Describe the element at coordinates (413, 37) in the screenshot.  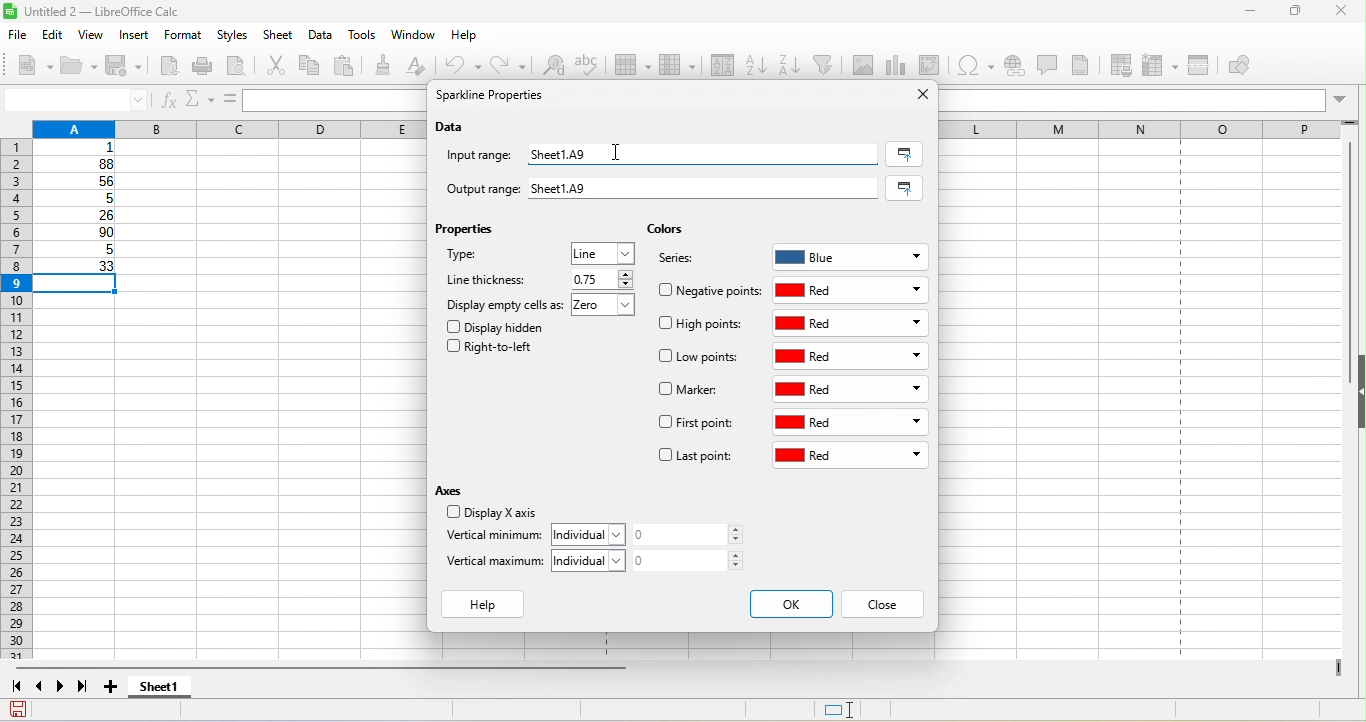
I see `window` at that location.